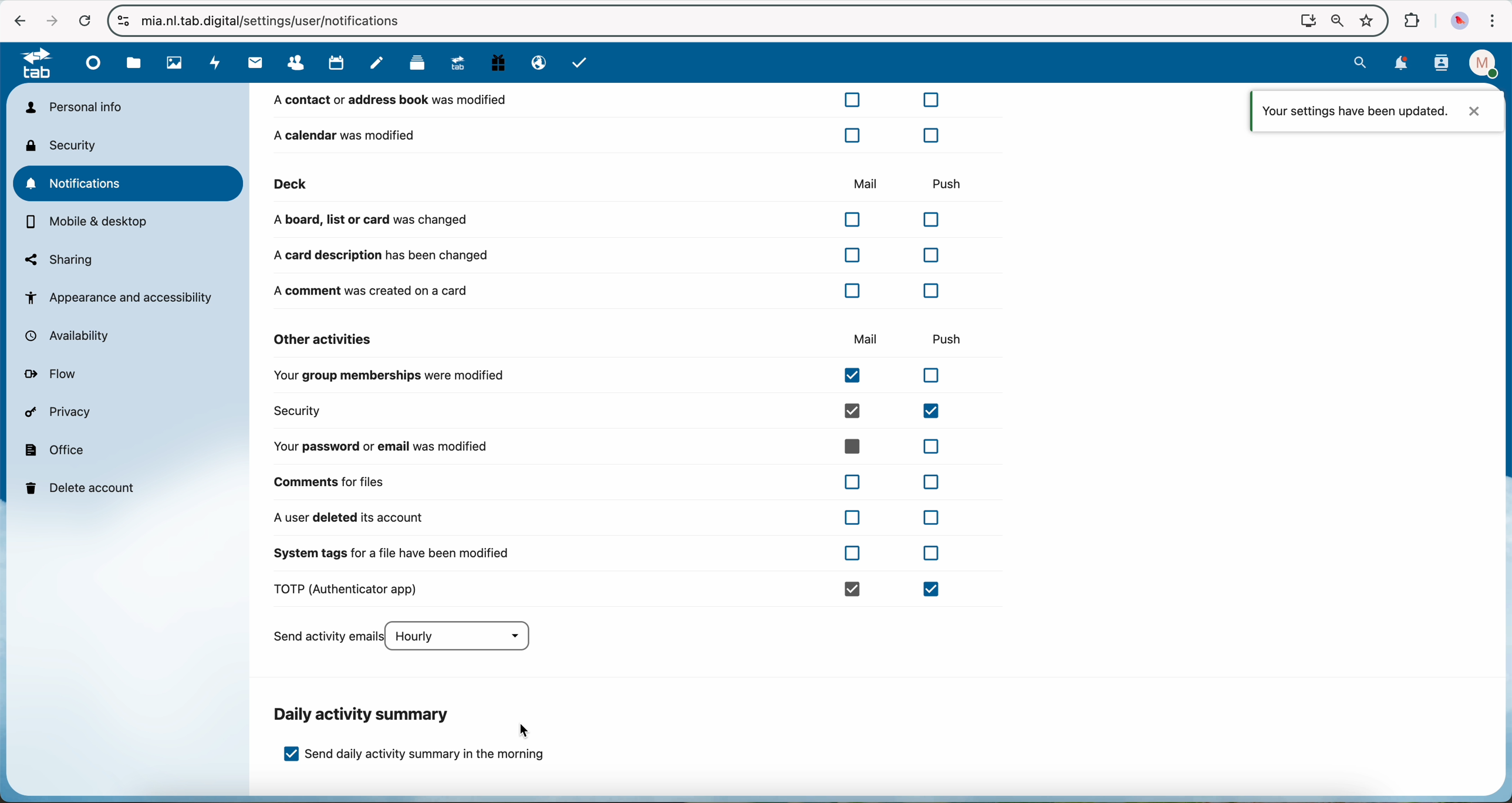  Describe the element at coordinates (283, 21) in the screenshot. I see `url` at that location.